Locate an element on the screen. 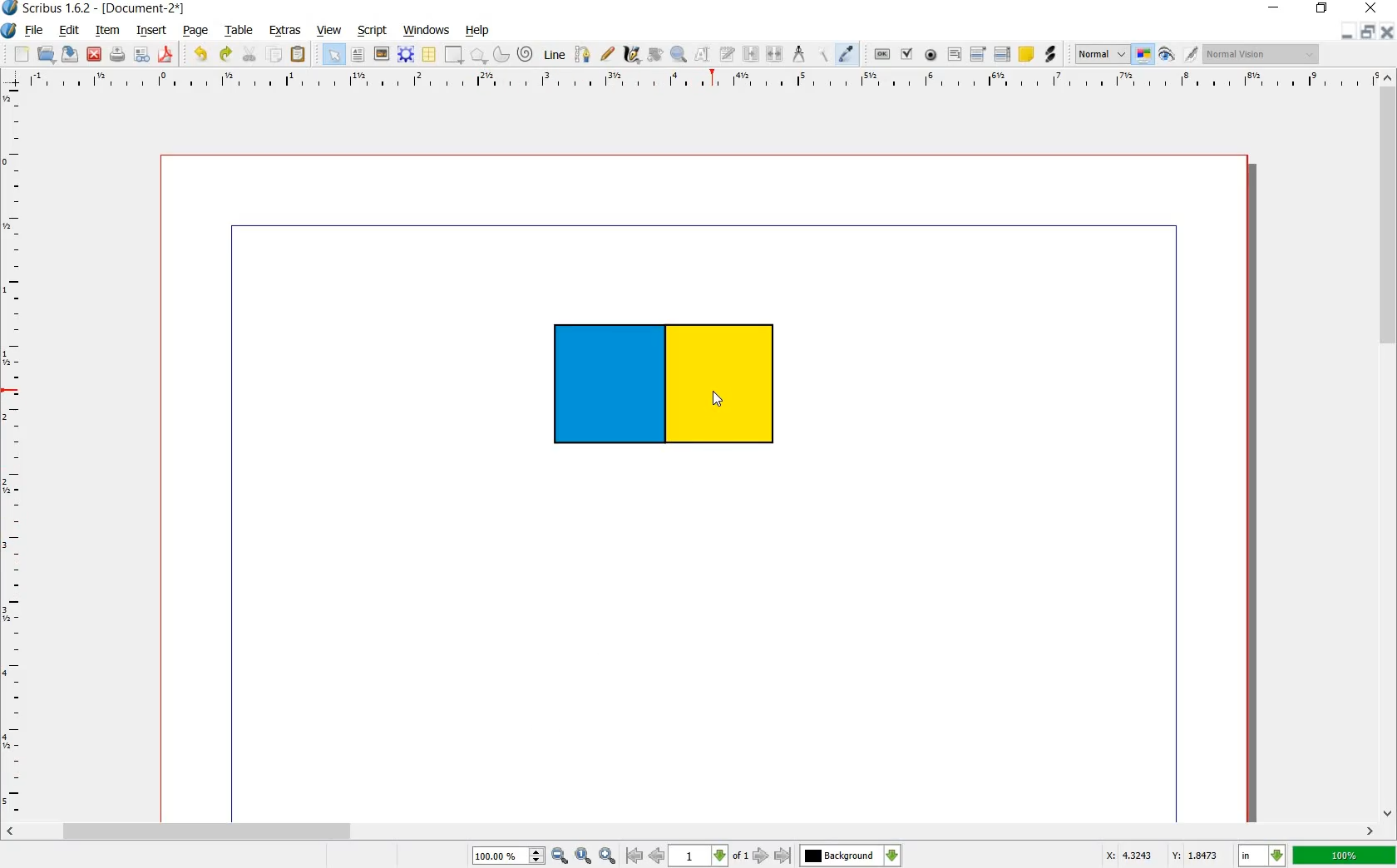  pdf list box is located at coordinates (1002, 55).